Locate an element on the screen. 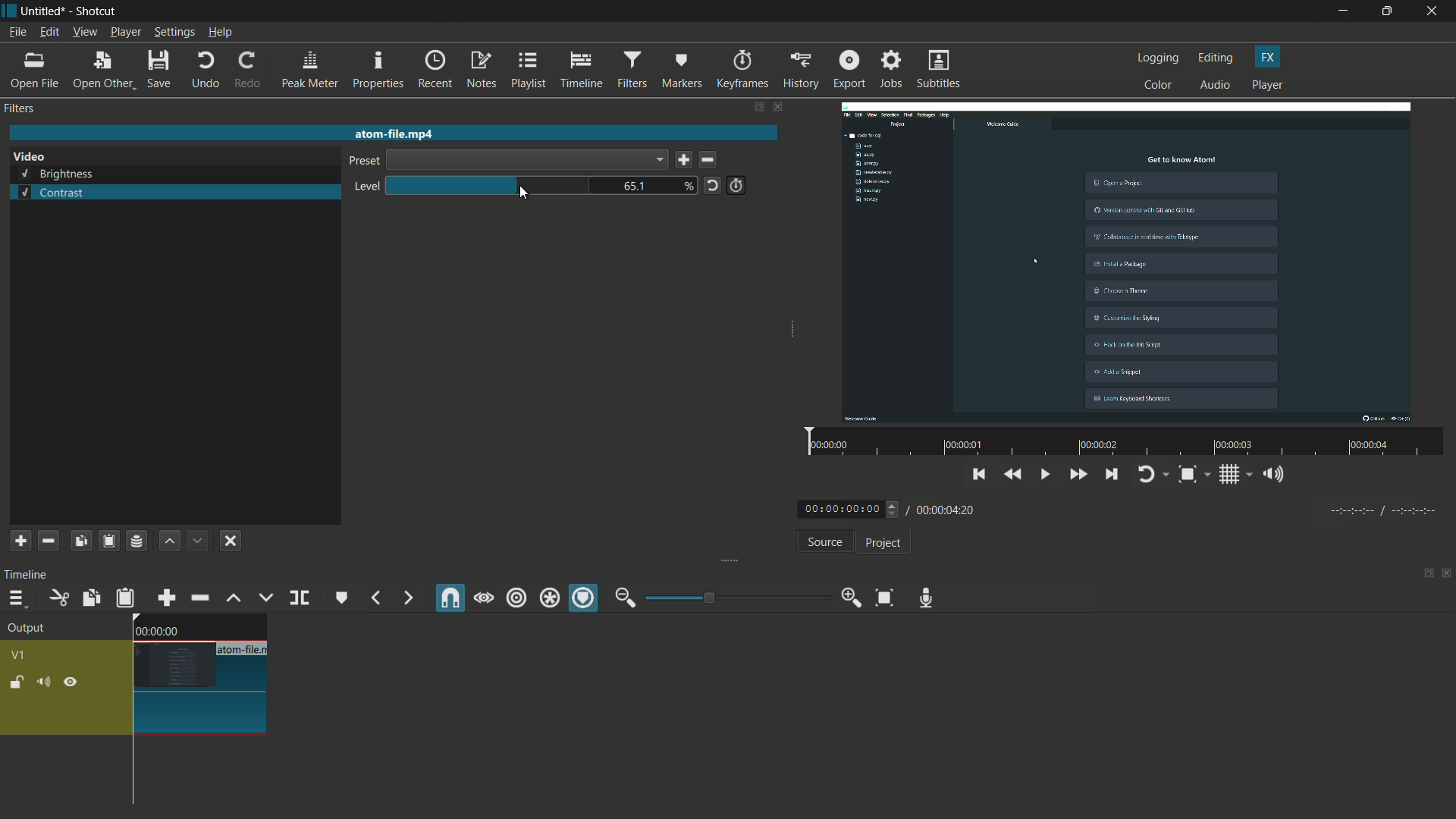 This screenshot has height=819, width=1456. show tabs is located at coordinates (758, 108).